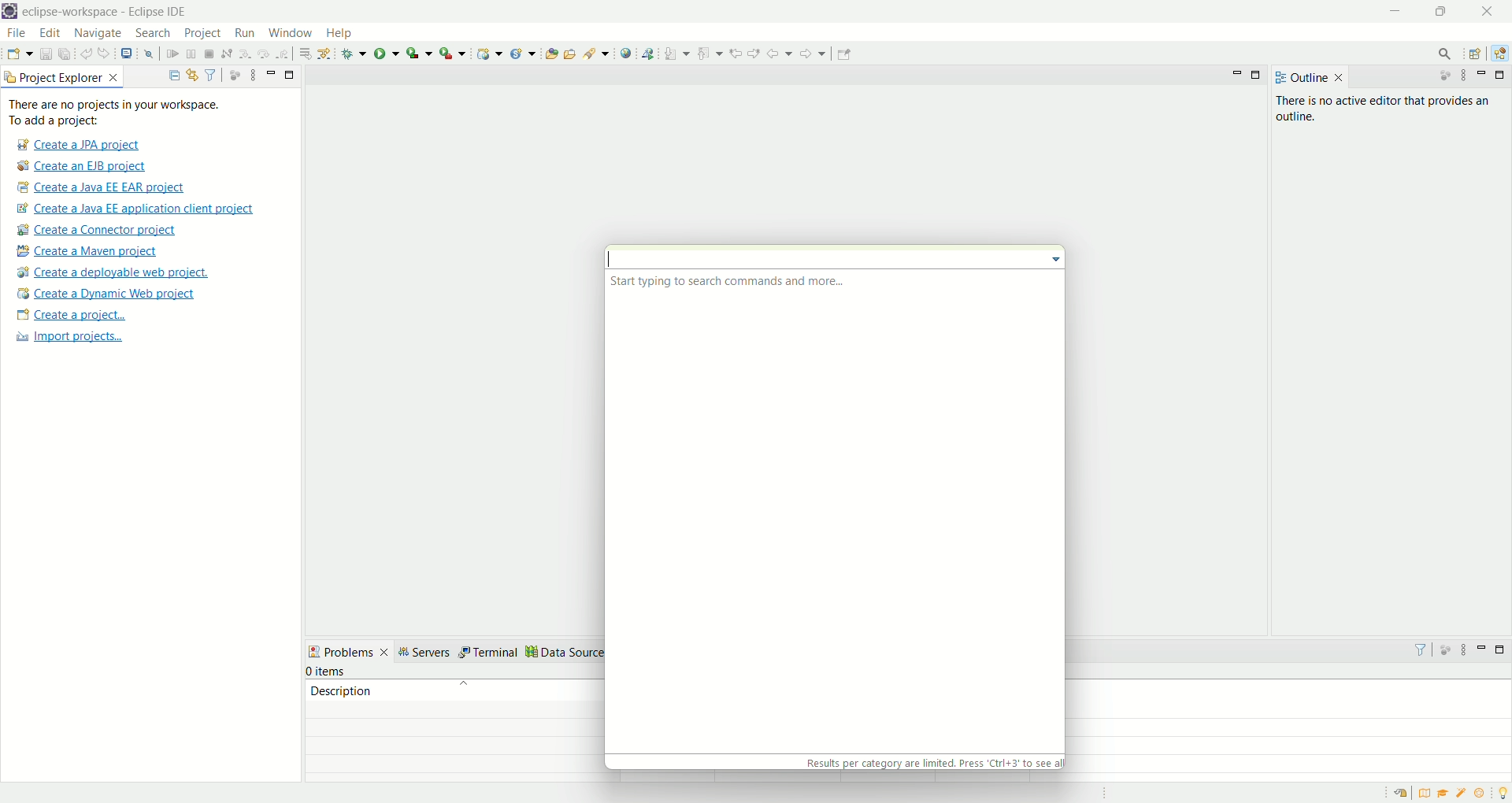  I want to click on open task, so click(571, 54).